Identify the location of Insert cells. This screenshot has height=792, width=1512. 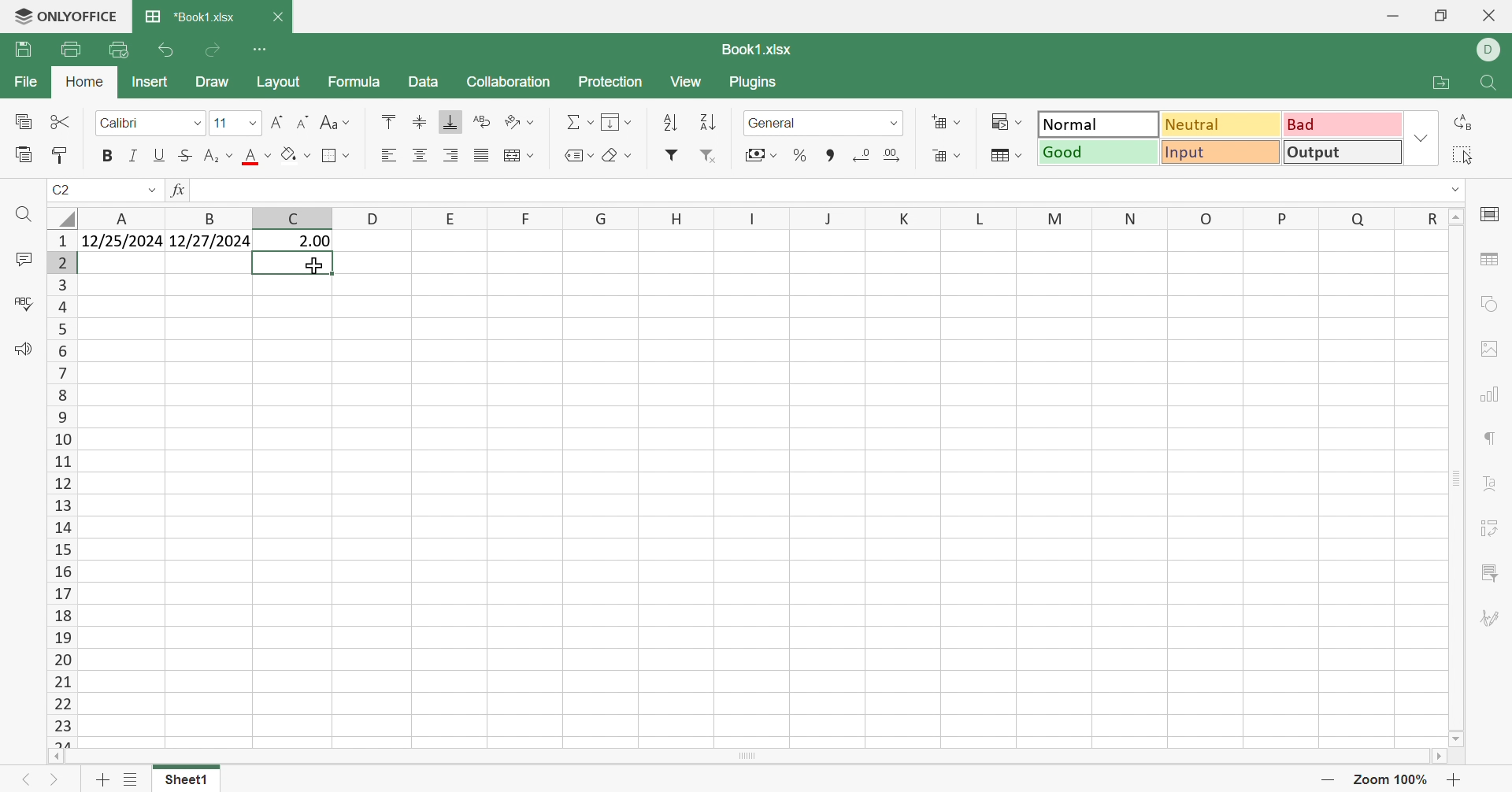
(949, 122).